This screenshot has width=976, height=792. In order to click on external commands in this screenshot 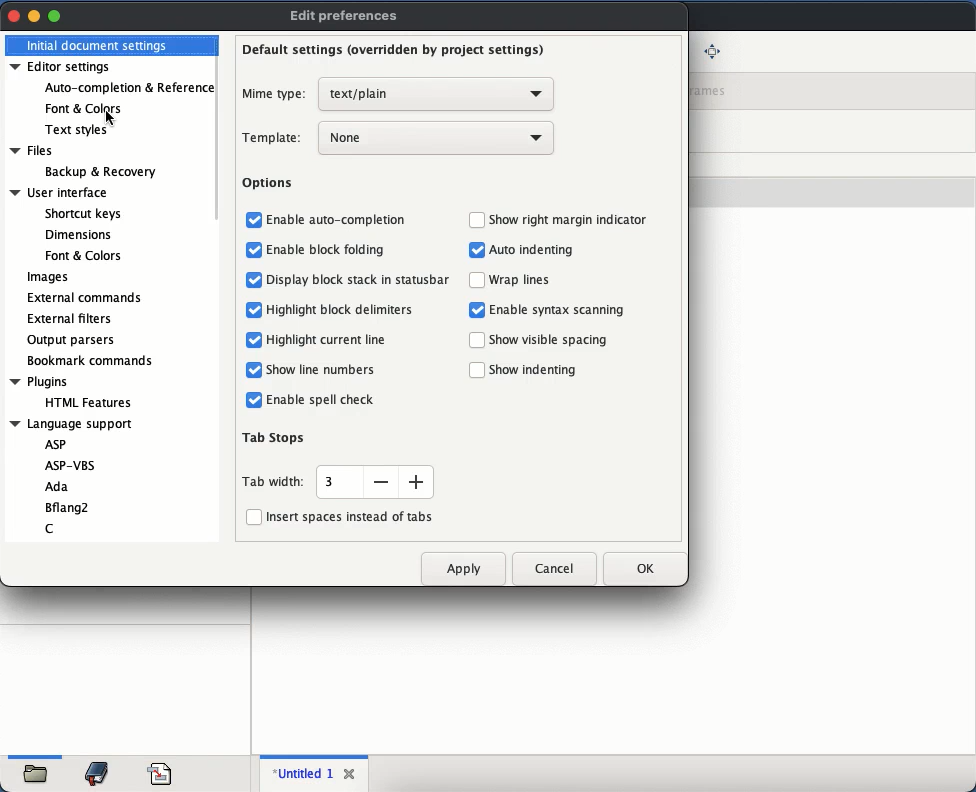, I will do `click(88, 298)`.